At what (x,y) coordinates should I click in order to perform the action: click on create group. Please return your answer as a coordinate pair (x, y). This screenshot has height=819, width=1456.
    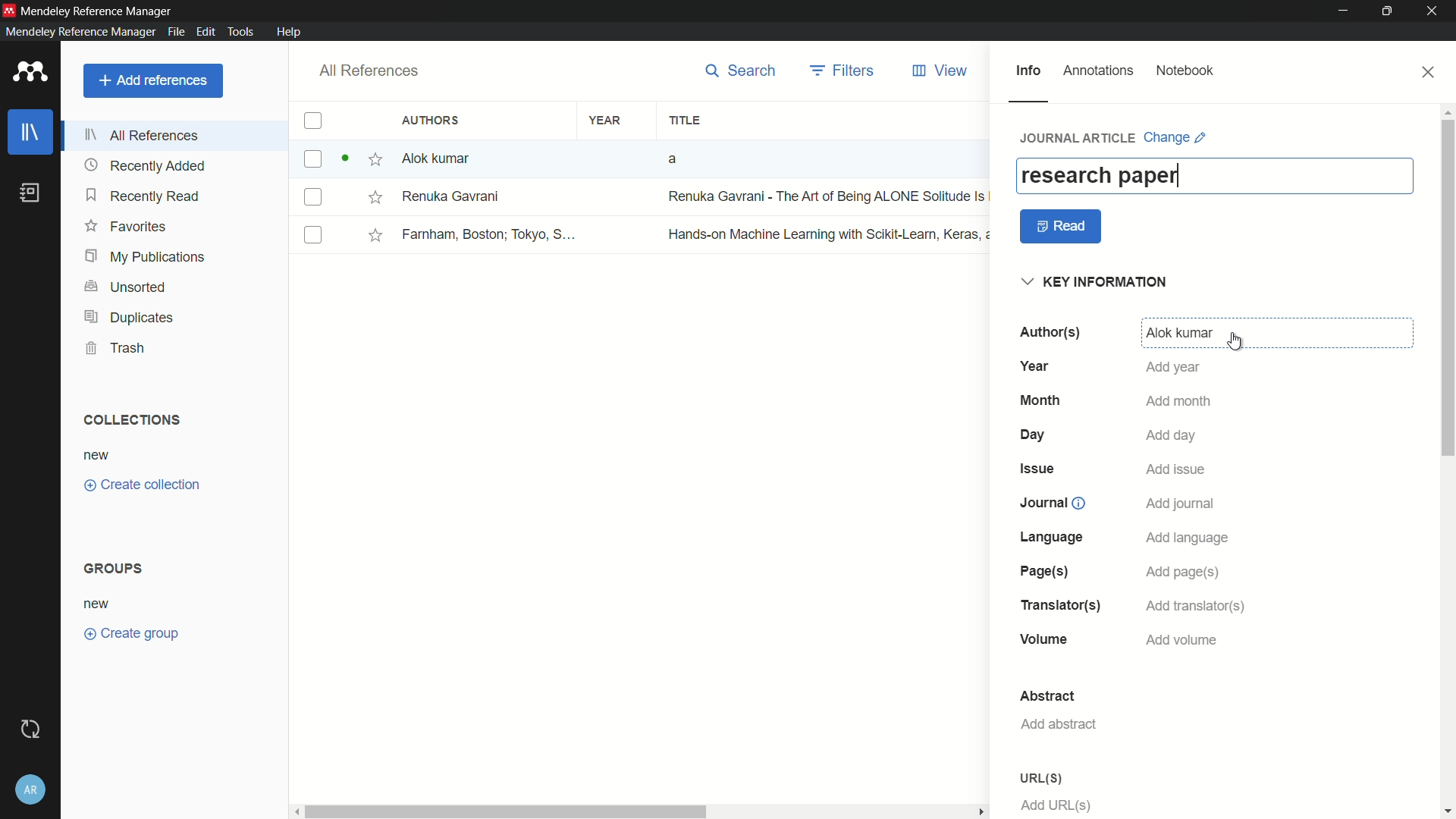
    Looking at the image, I should click on (130, 632).